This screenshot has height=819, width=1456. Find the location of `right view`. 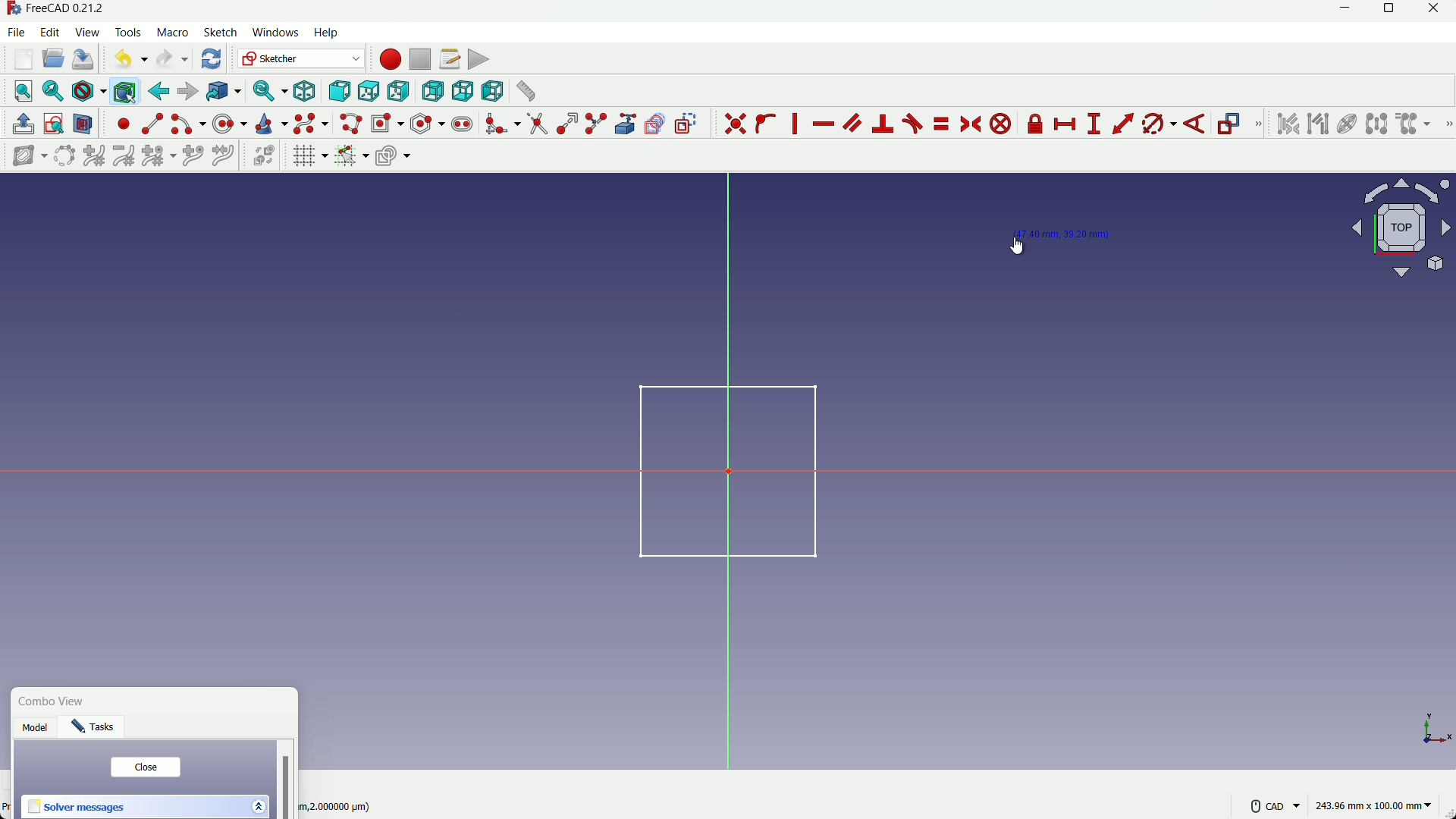

right view is located at coordinates (400, 92).